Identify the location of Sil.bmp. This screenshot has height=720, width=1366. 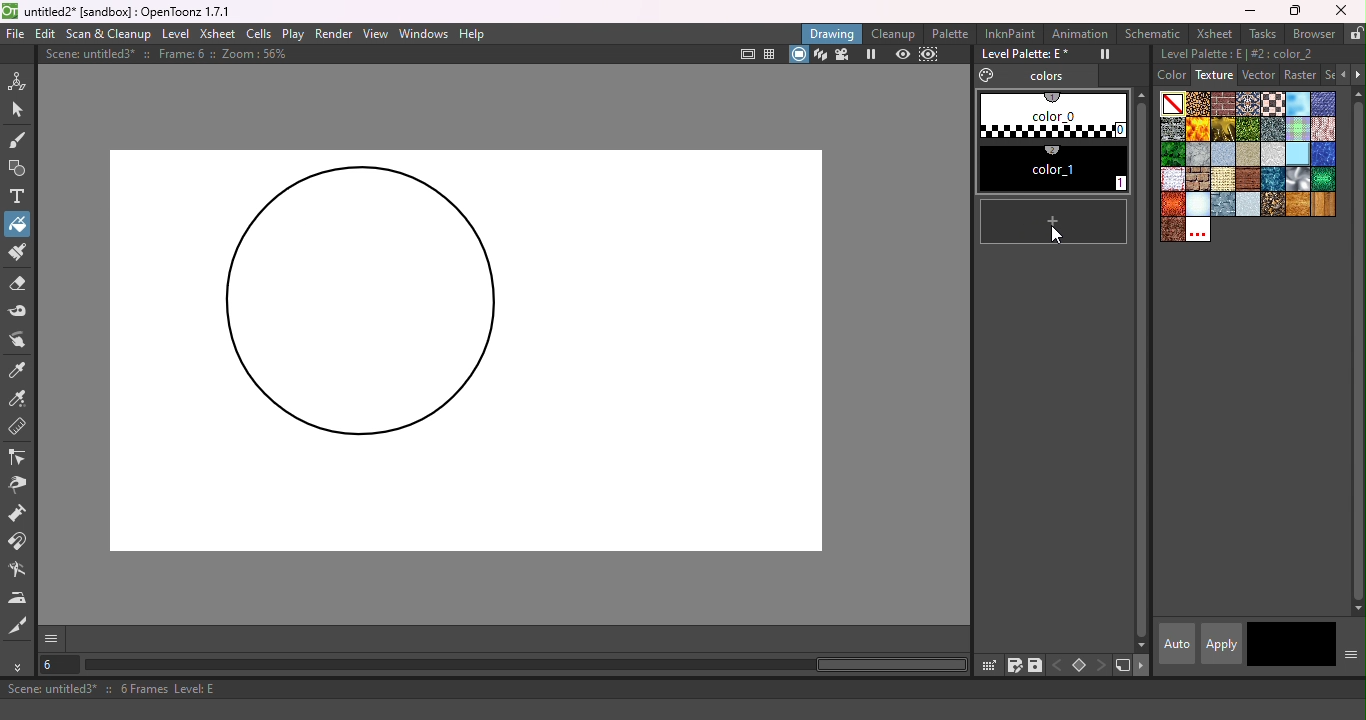
(1298, 179).